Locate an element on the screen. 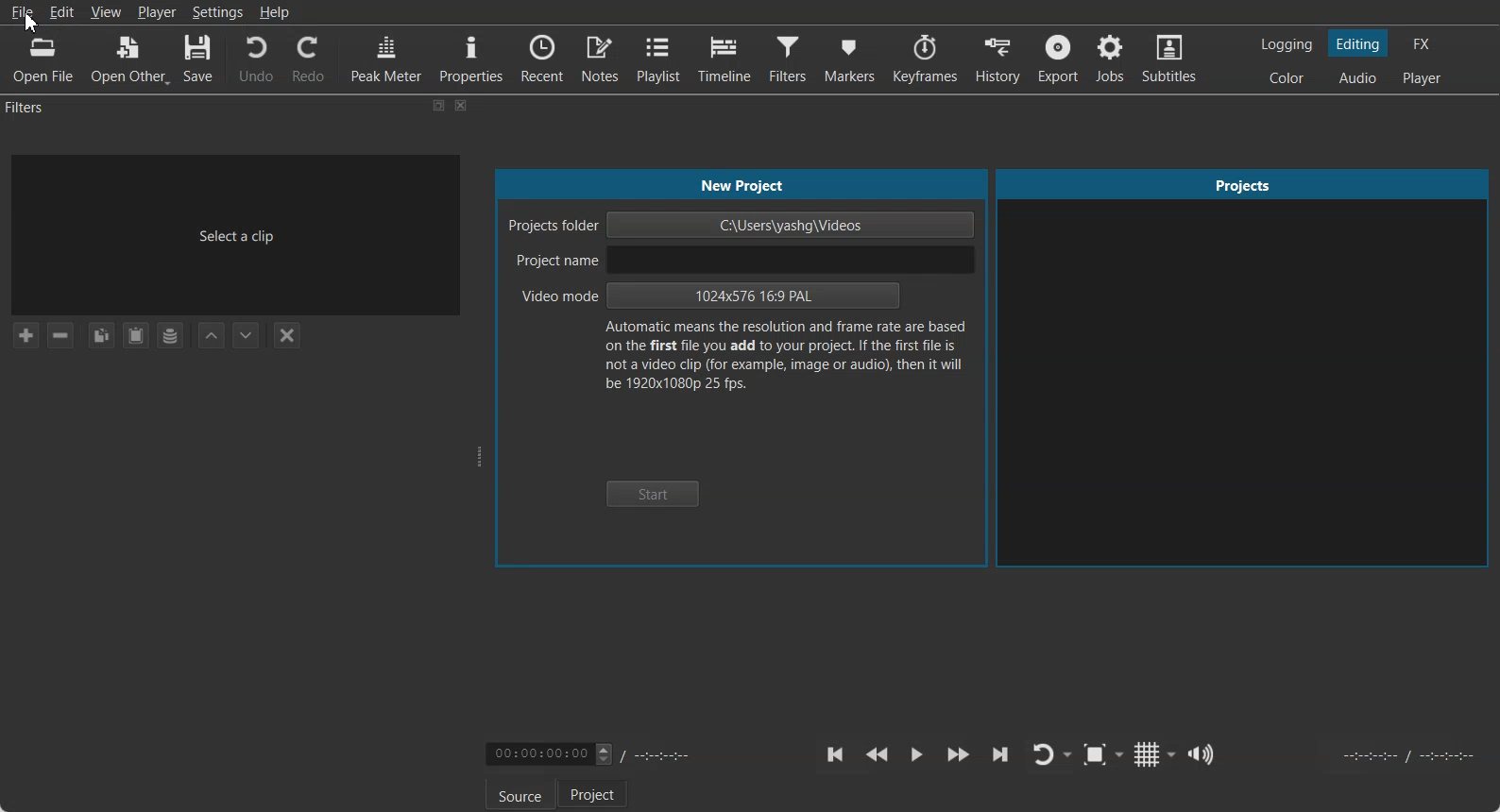  Select clip is located at coordinates (234, 234).